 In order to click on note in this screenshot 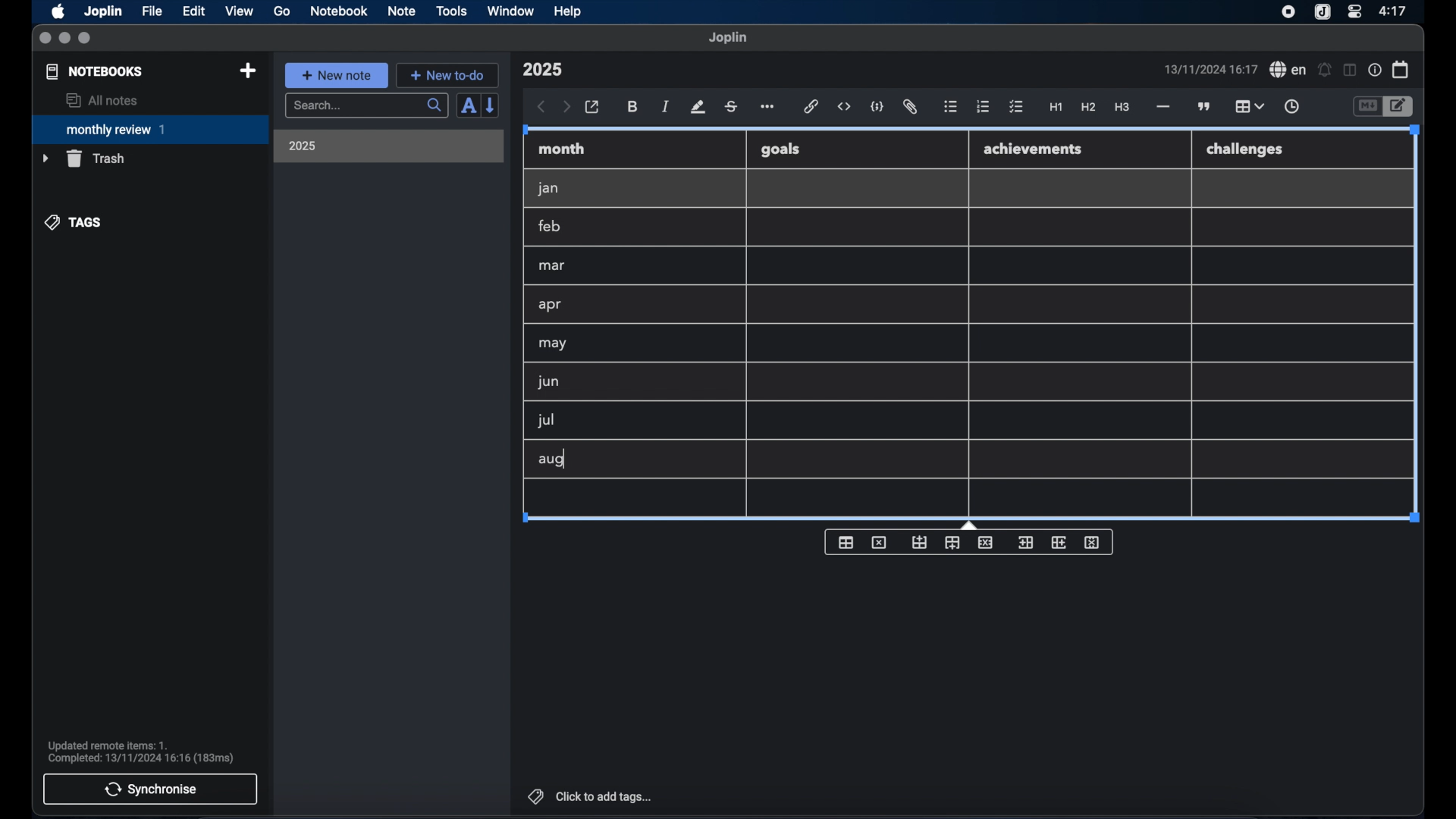, I will do `click(402, 11)`.